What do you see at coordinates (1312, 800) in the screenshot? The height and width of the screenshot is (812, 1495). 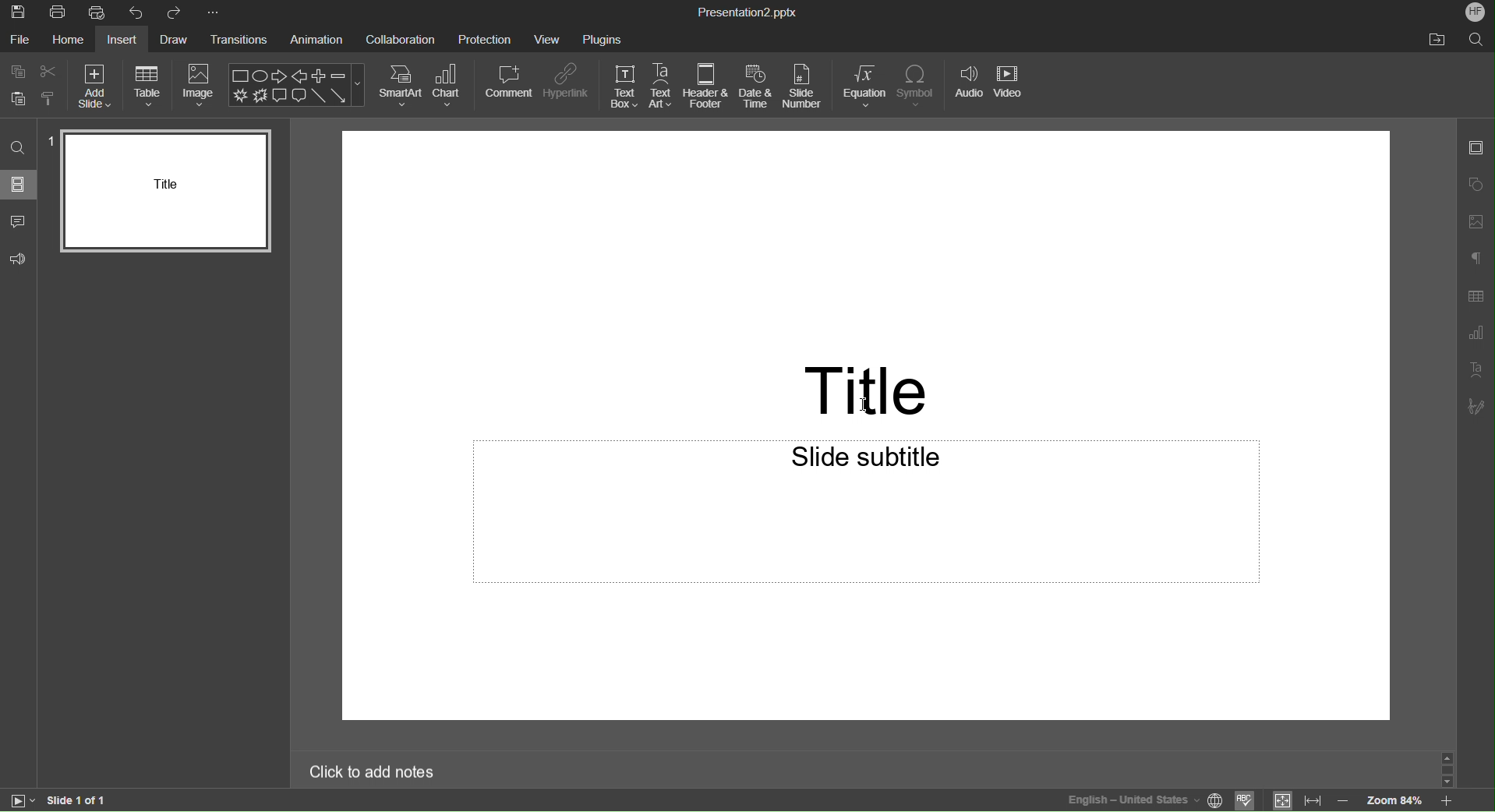 I see `fit to width` at bounding box center [1312, 800].